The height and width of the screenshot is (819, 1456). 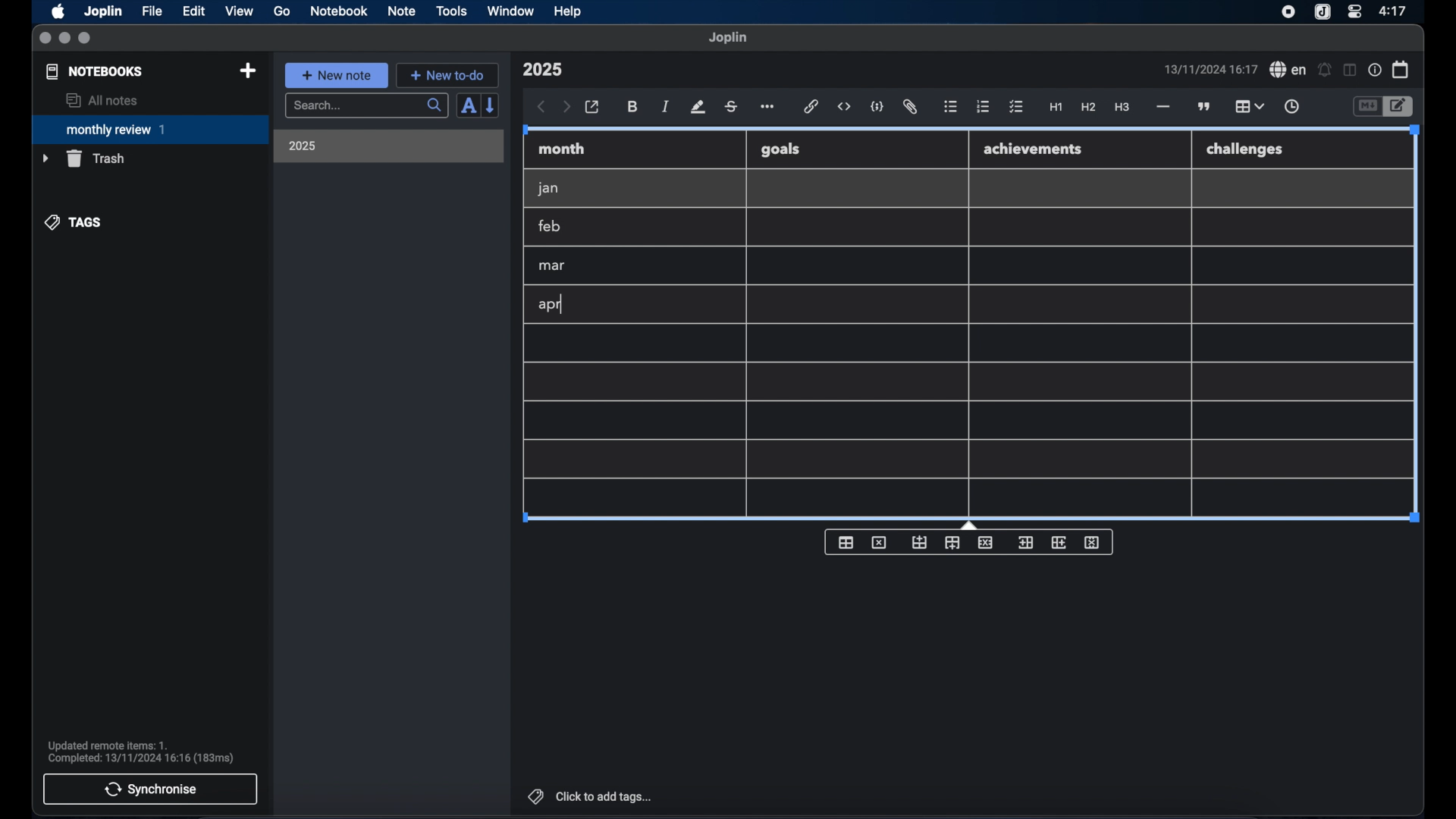 What do you see at coordinates (141, 752) in the screenshot?
I see `sync notification` at bounding box center [141, 752].